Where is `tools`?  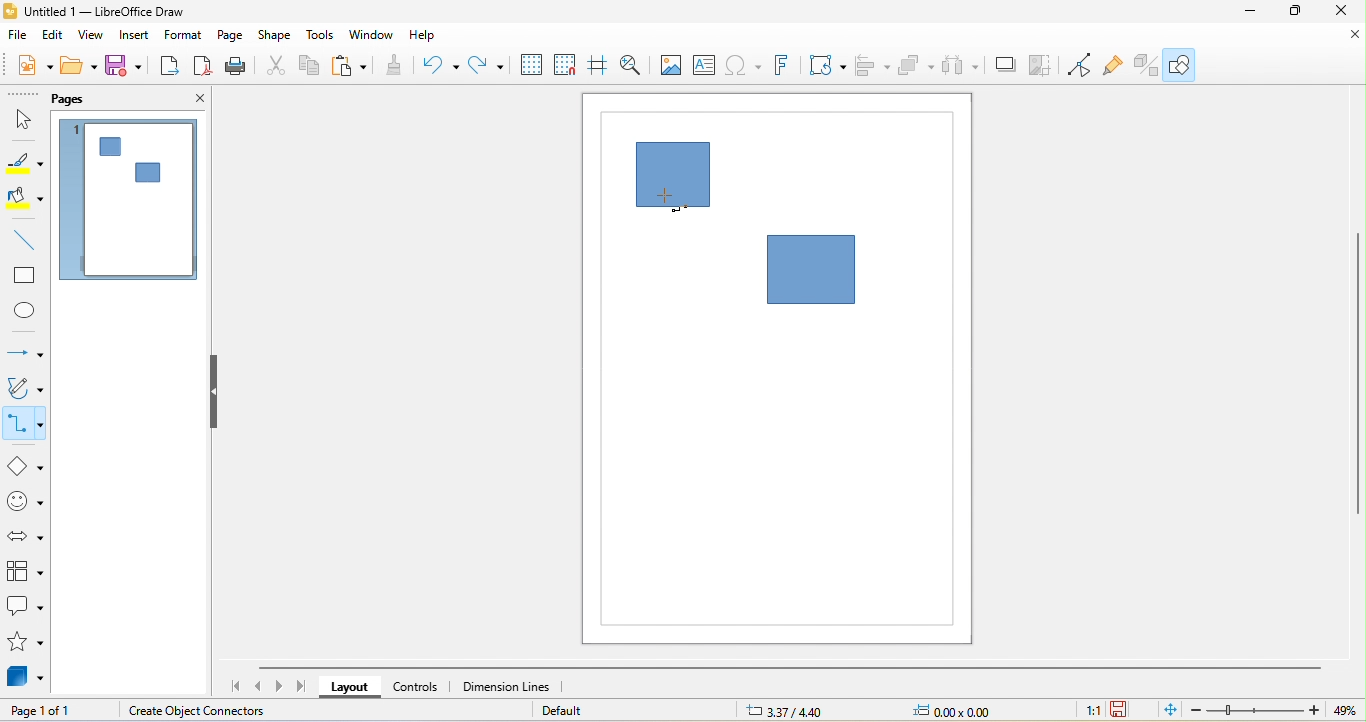 tools is located at coordinates (323, 36).